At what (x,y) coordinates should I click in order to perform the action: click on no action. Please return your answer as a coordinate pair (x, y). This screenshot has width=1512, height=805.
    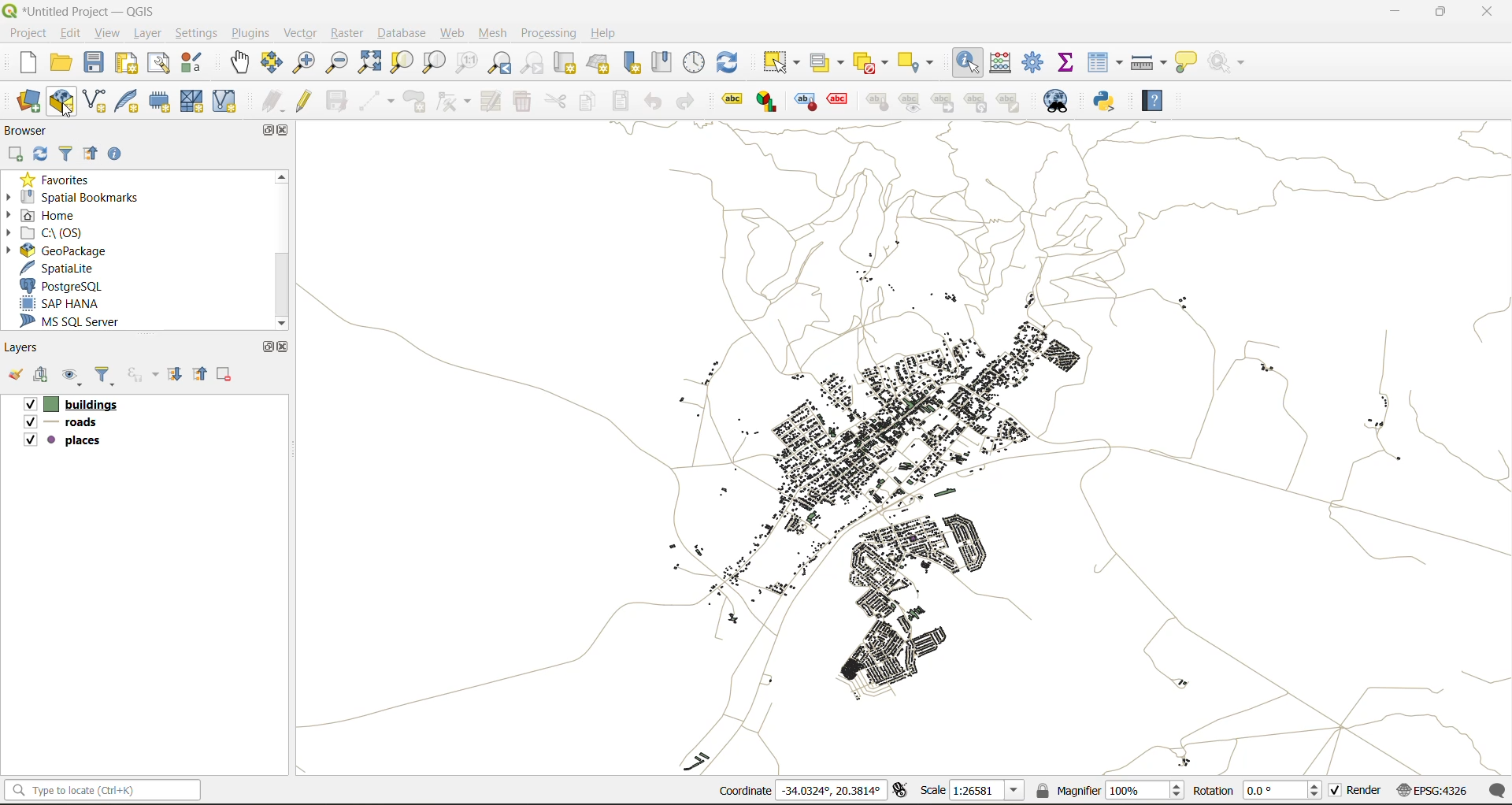
    Looking at the image, I should click on (1228, 62).